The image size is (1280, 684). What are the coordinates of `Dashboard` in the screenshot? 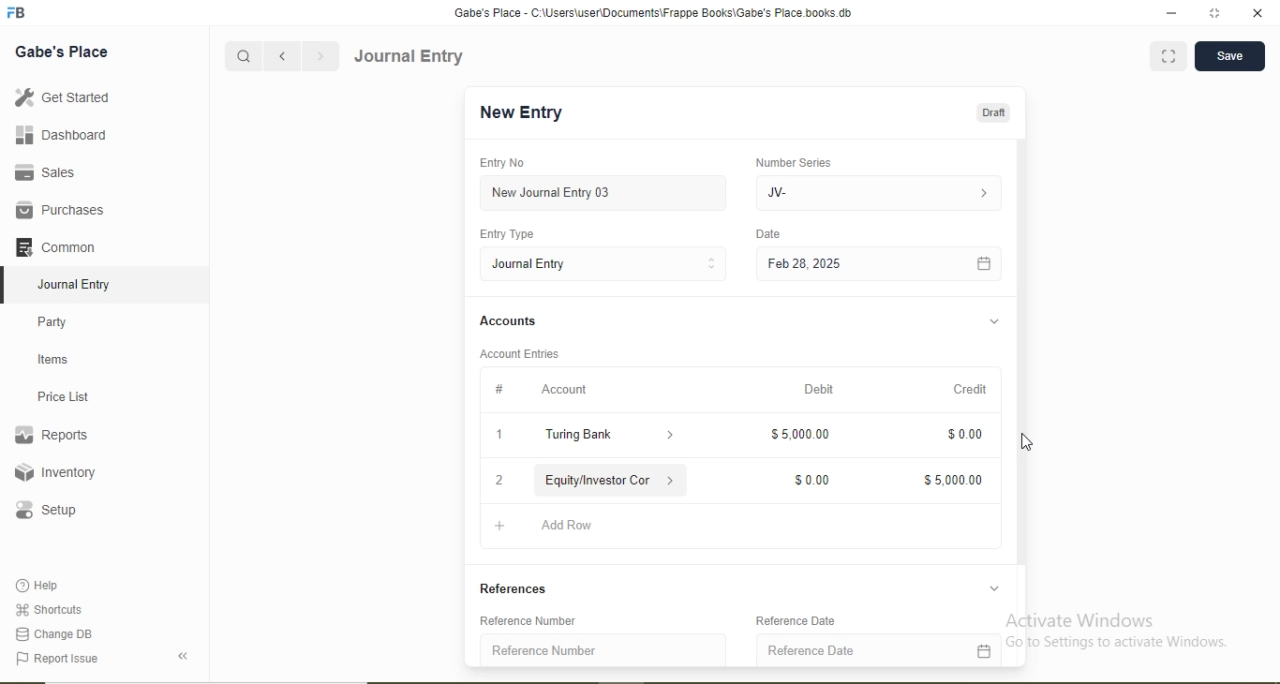 It's located at (62, 134).